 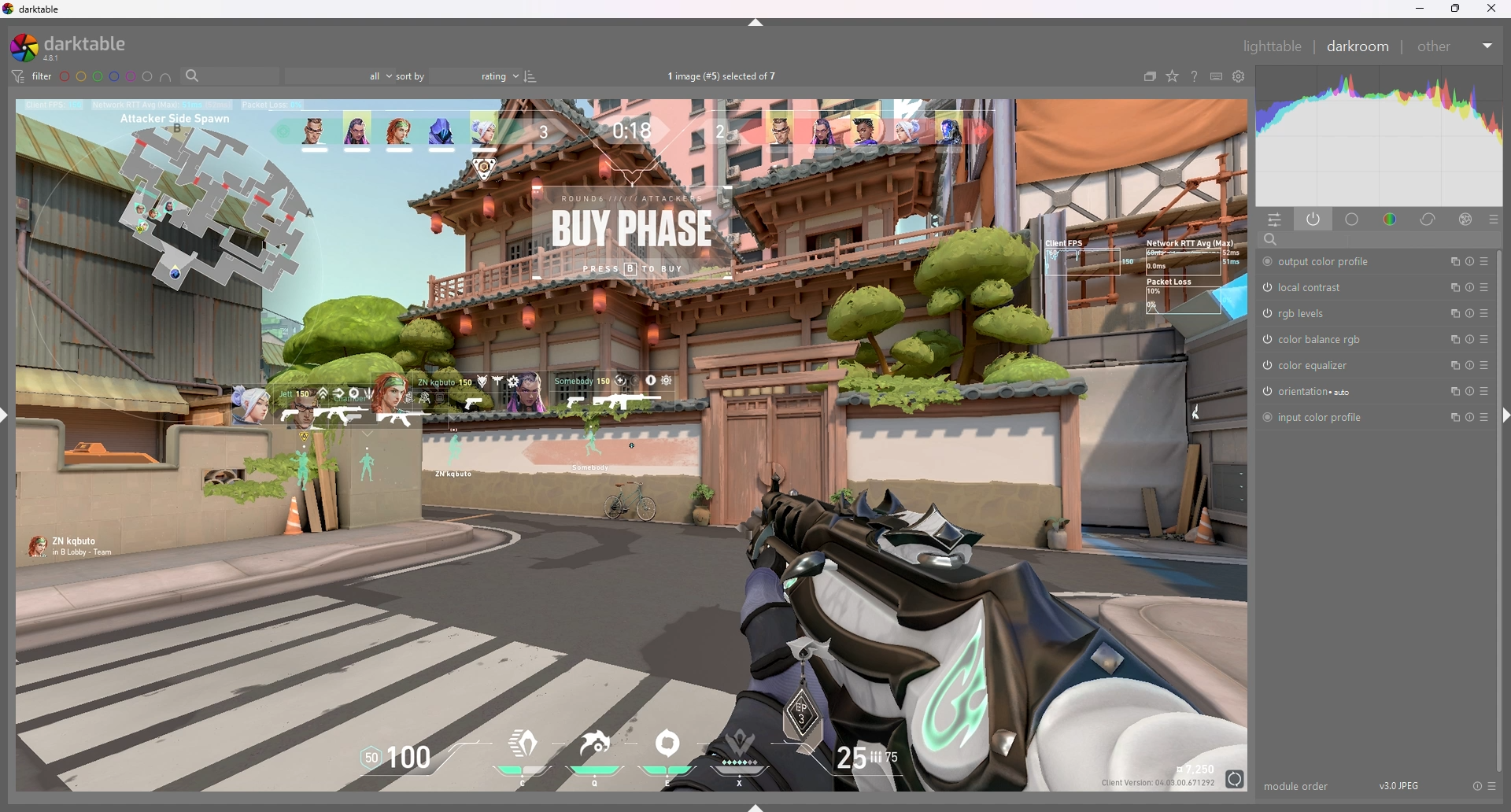 What do you see at coordinates (1297, 786) in the screenshot?
I see `module order` at bounding box center [1297, 786].